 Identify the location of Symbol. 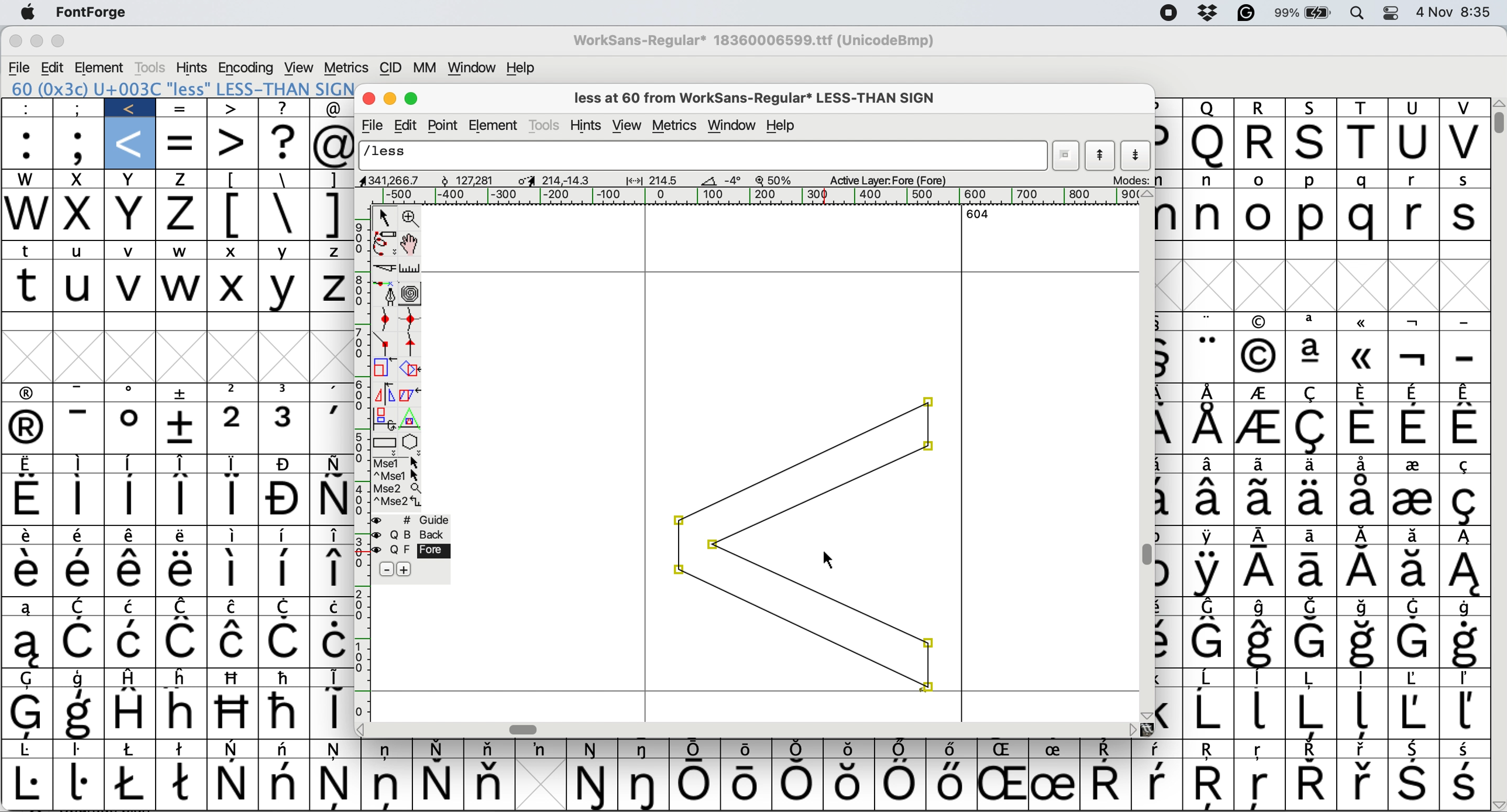
(1465, 679).